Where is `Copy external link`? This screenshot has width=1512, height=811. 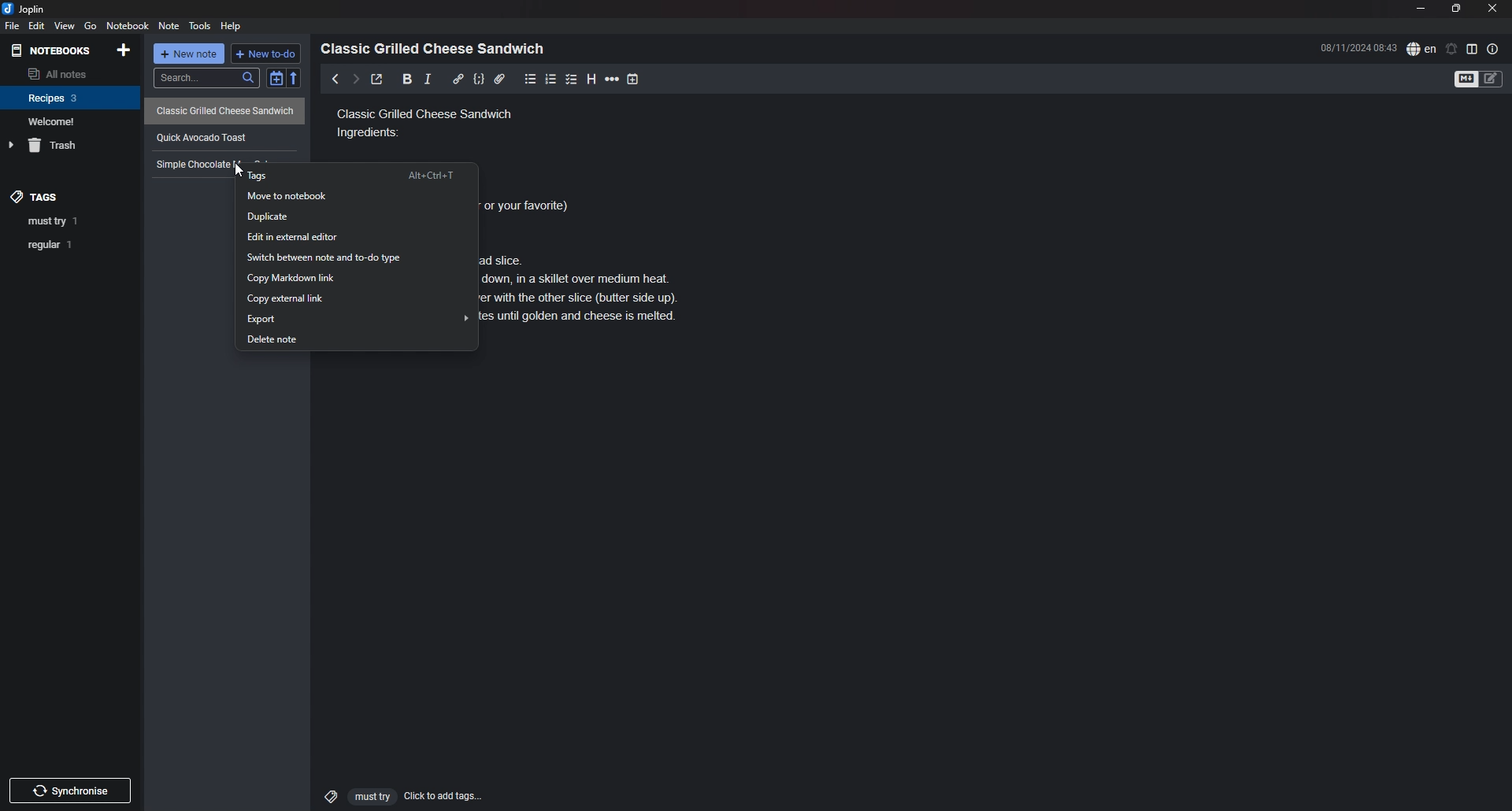 Copy external link is located at coordinates (357, 298).